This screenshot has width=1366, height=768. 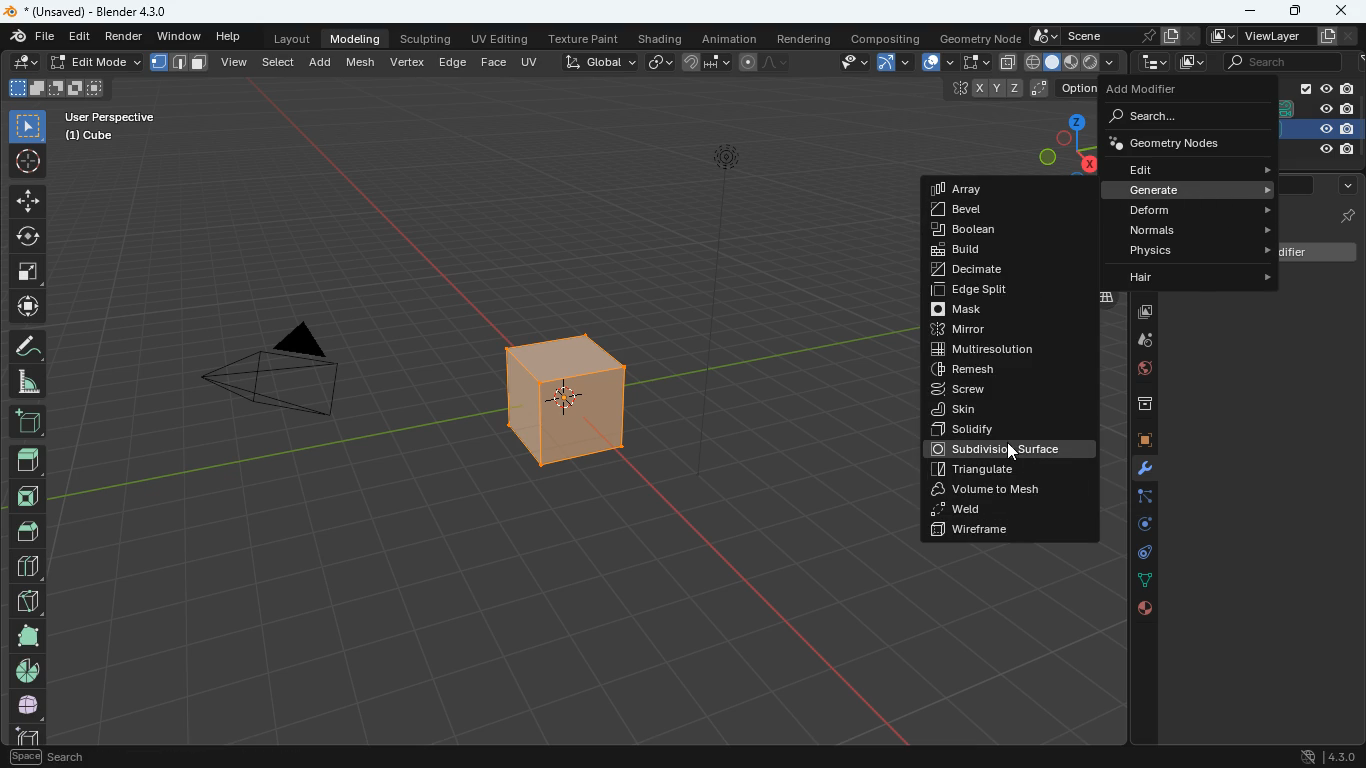 I want to click on help, so click(x=227, y=37).